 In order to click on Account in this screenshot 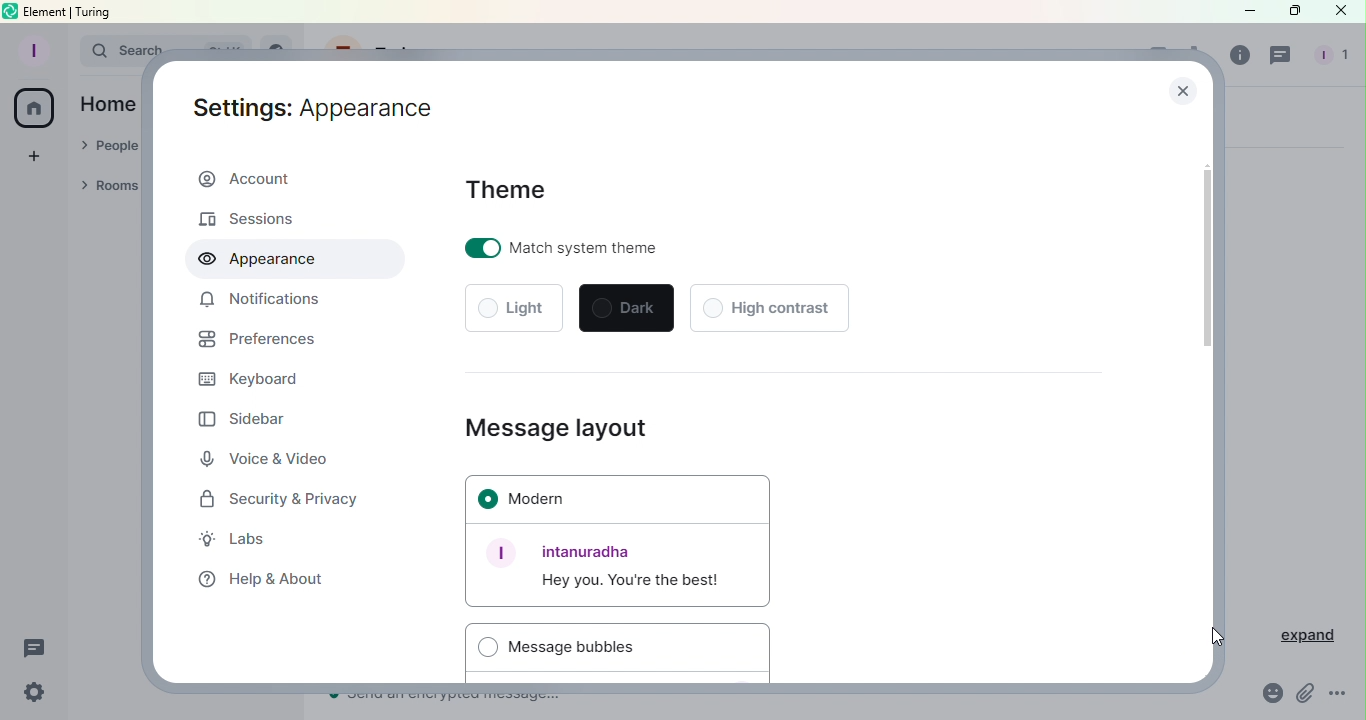, I will do `click(292, 181)`.